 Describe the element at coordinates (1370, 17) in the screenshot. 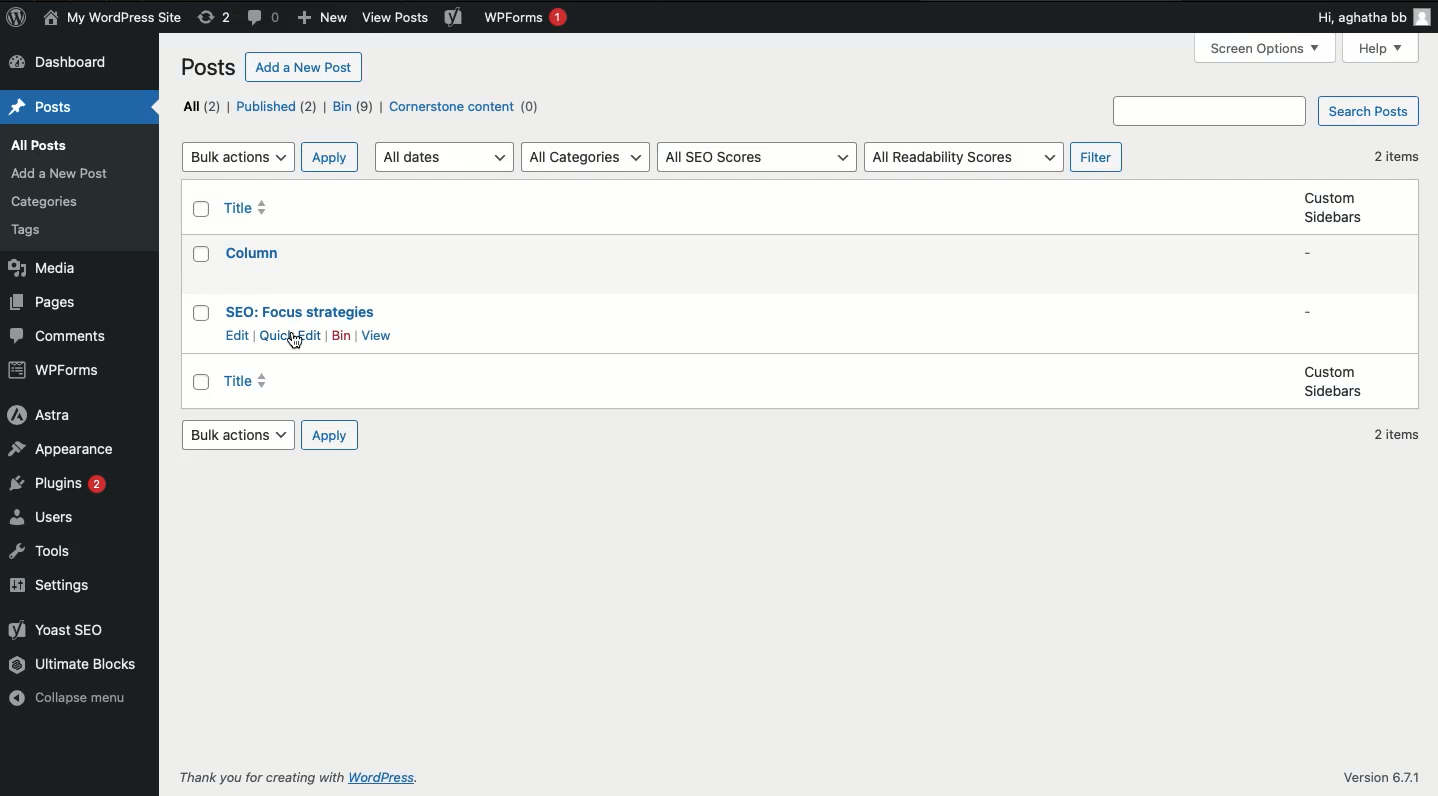

I see `Hi user` at that location.